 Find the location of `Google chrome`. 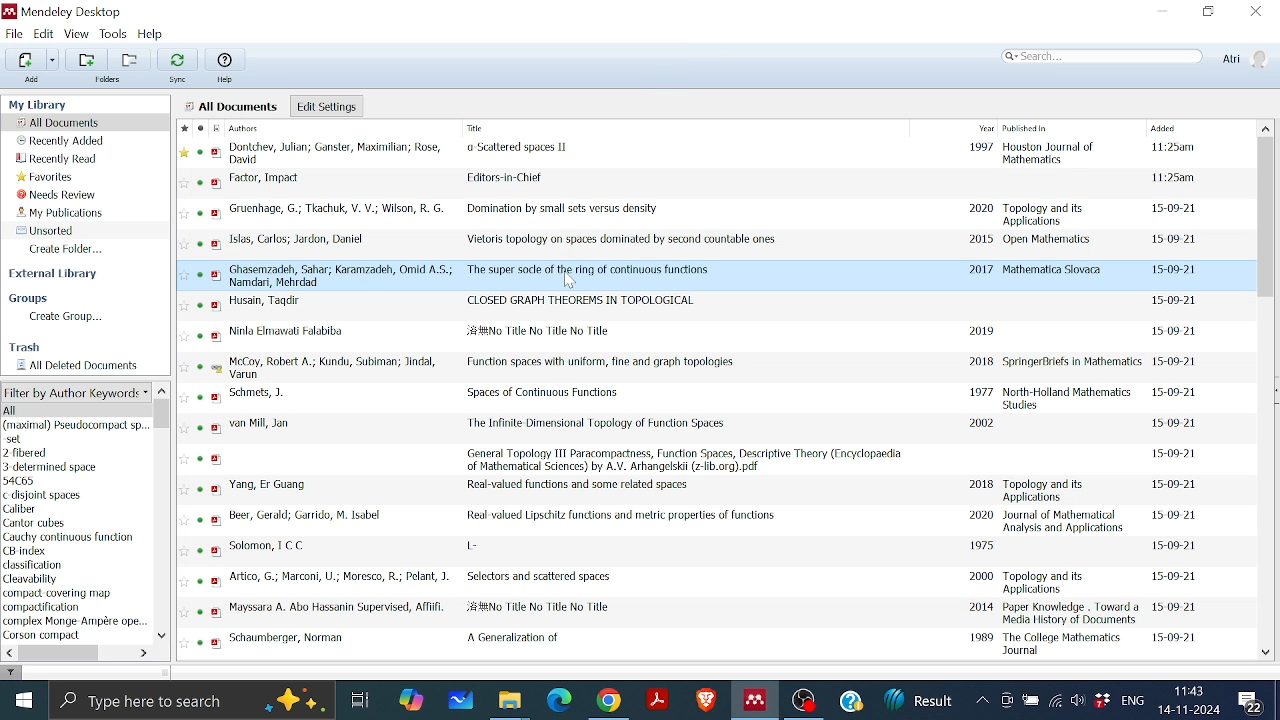

Google chrome is located at coordinates (610, 700).